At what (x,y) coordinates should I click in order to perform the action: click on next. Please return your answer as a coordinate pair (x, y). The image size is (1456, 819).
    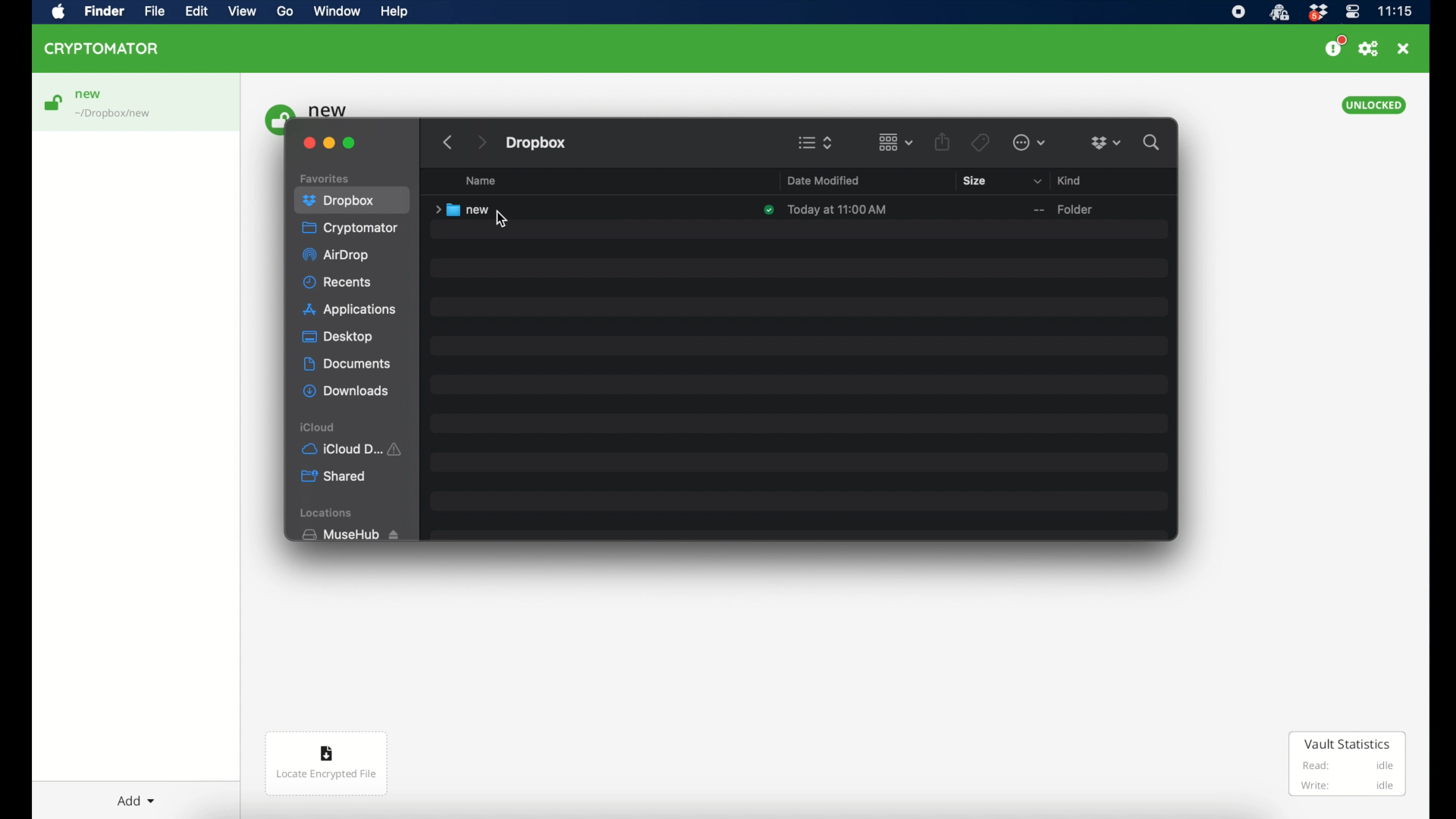
    Looking at the image, I should click on (475, 140).